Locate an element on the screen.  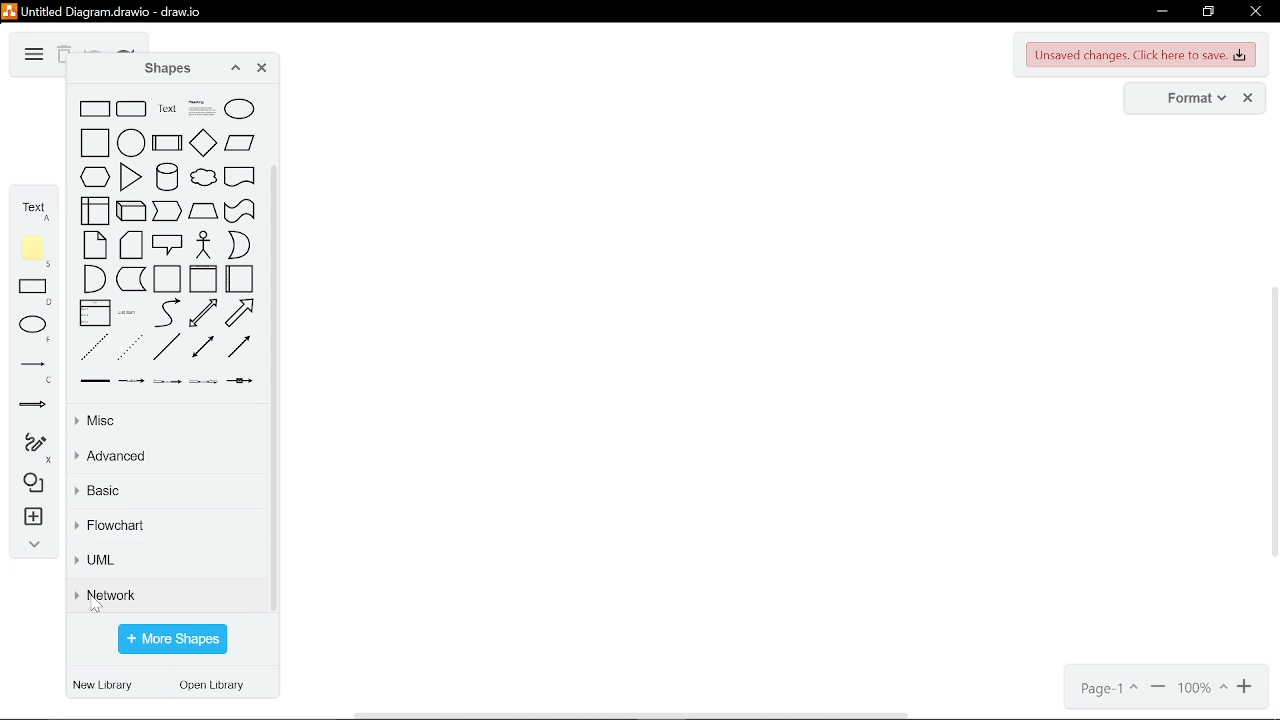
dotted line is located at coordinates (131, 347).